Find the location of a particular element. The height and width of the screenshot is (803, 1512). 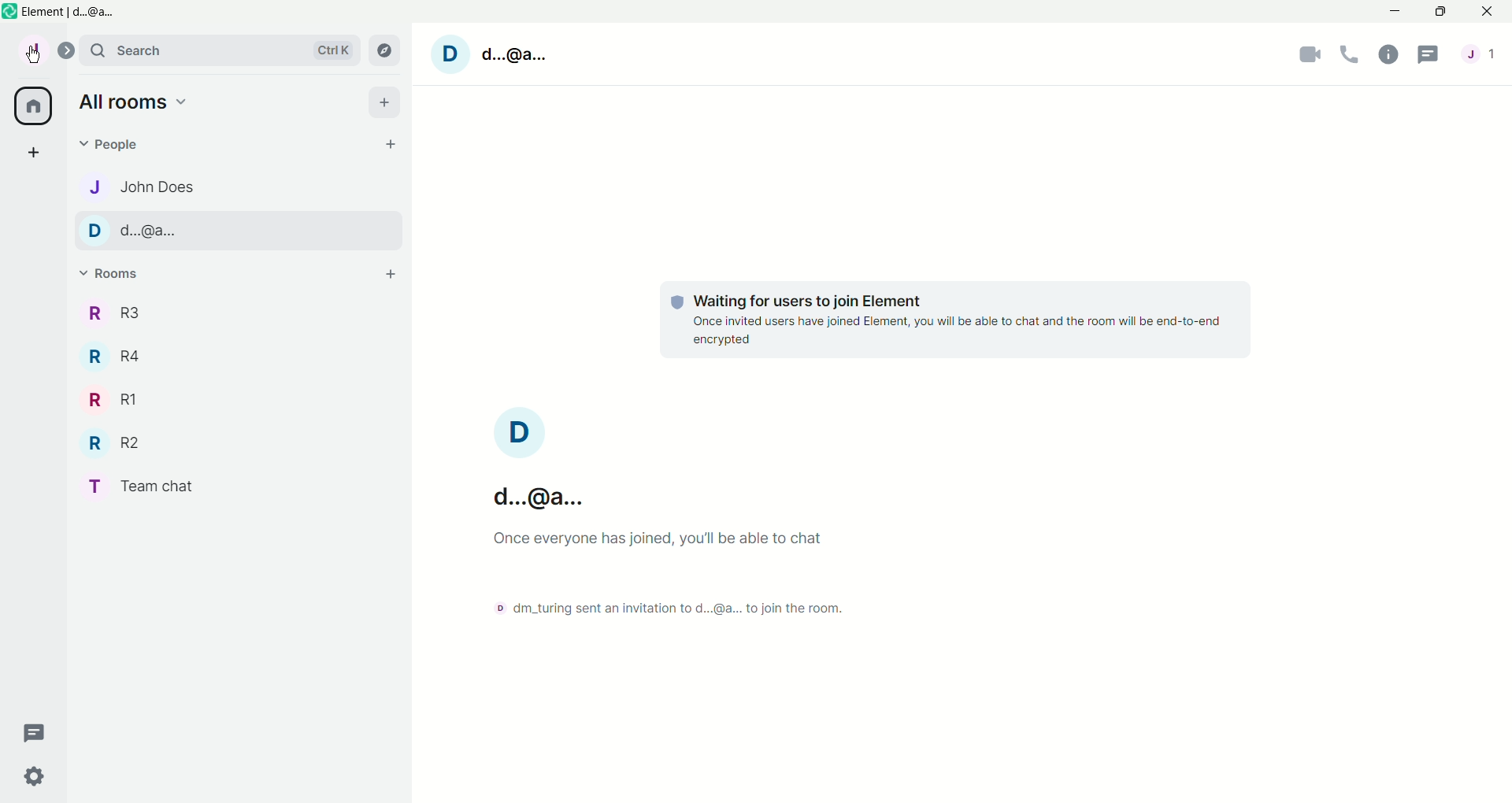

Cursor is located at coordinates (32, 54).